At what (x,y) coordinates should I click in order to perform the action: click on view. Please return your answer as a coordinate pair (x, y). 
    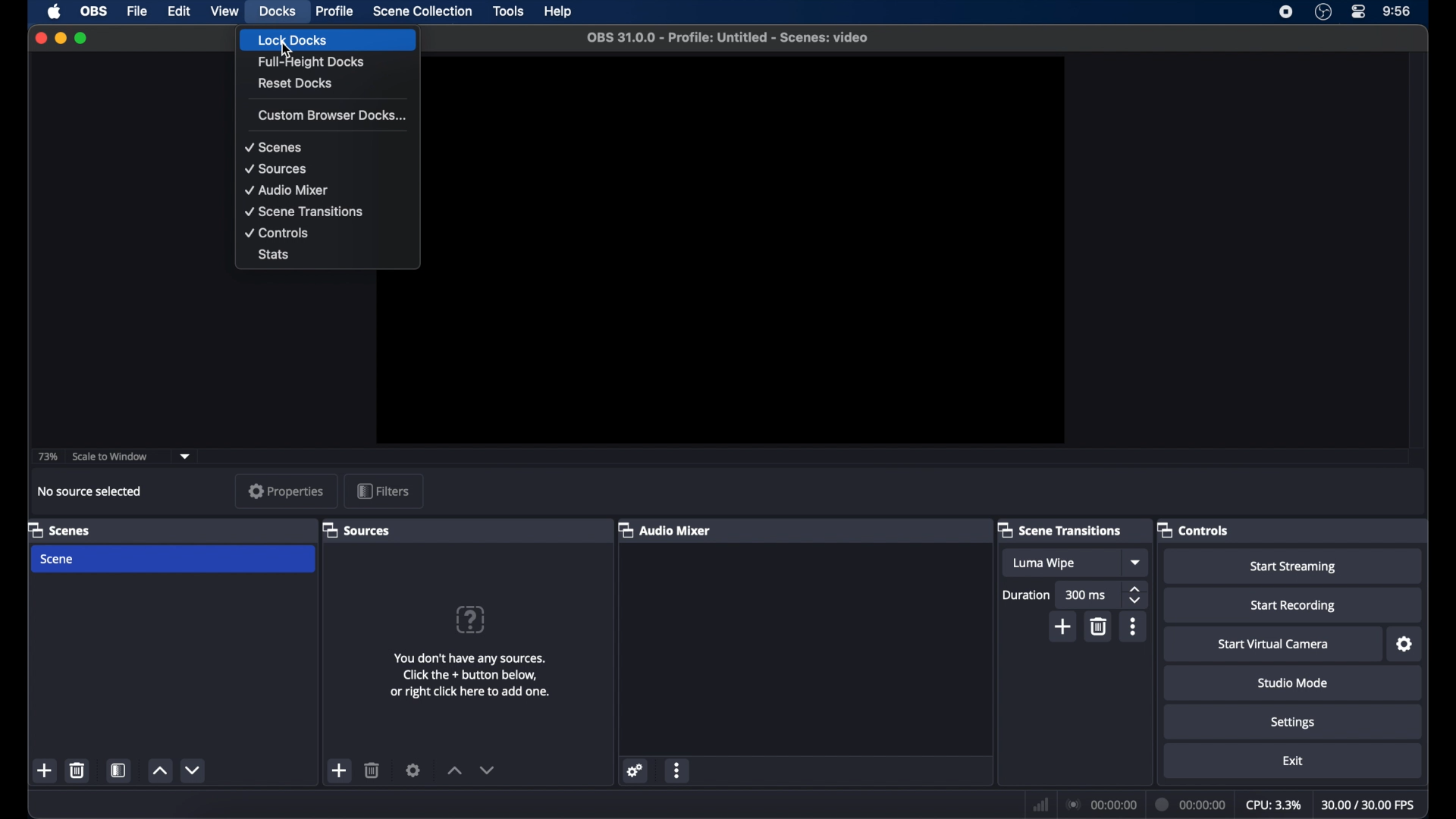
    Looking at the image, I should click on (223, 11).